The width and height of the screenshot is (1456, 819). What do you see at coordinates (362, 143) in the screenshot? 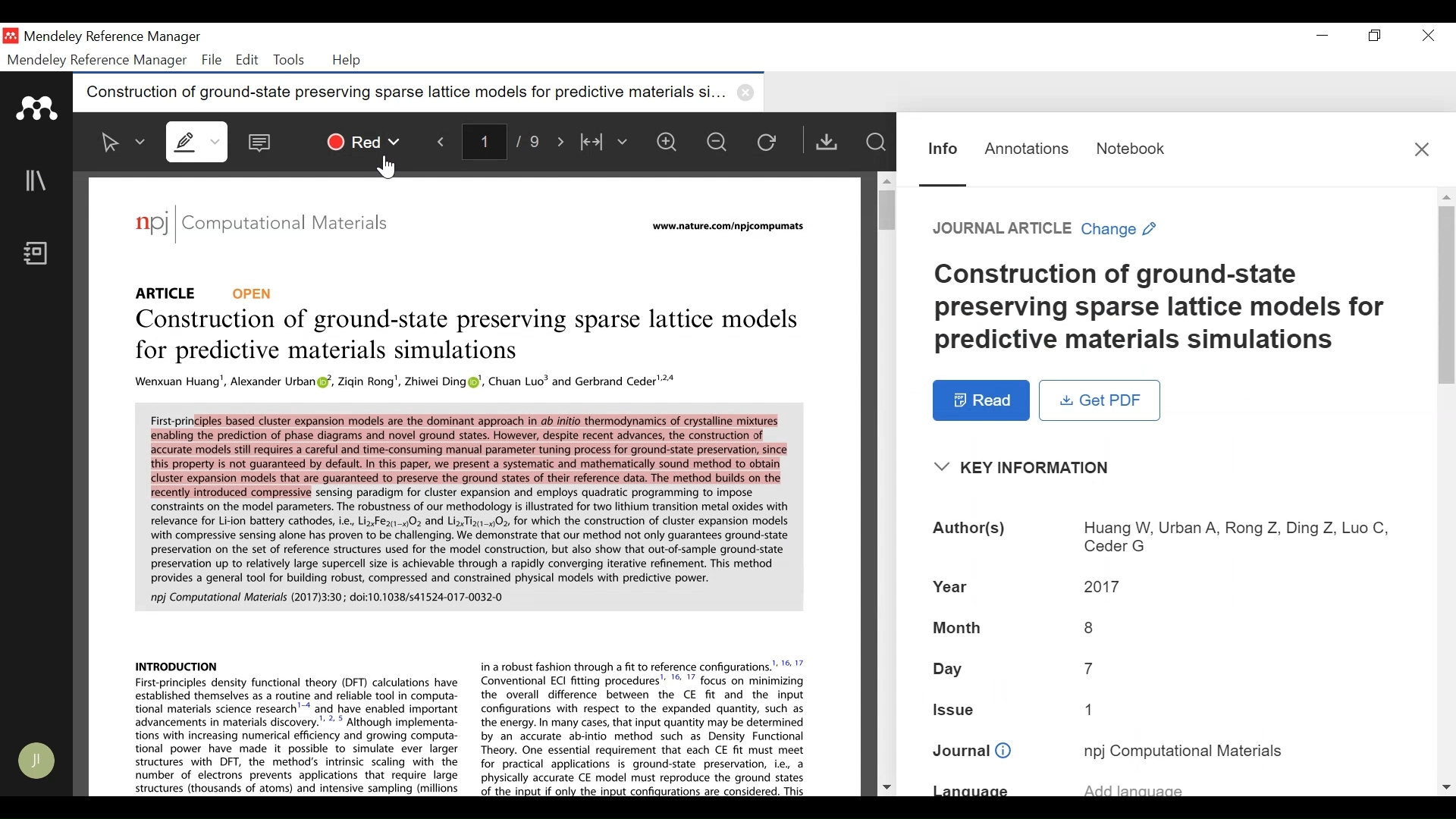
I see `Red` at bounding box center [362, 143].